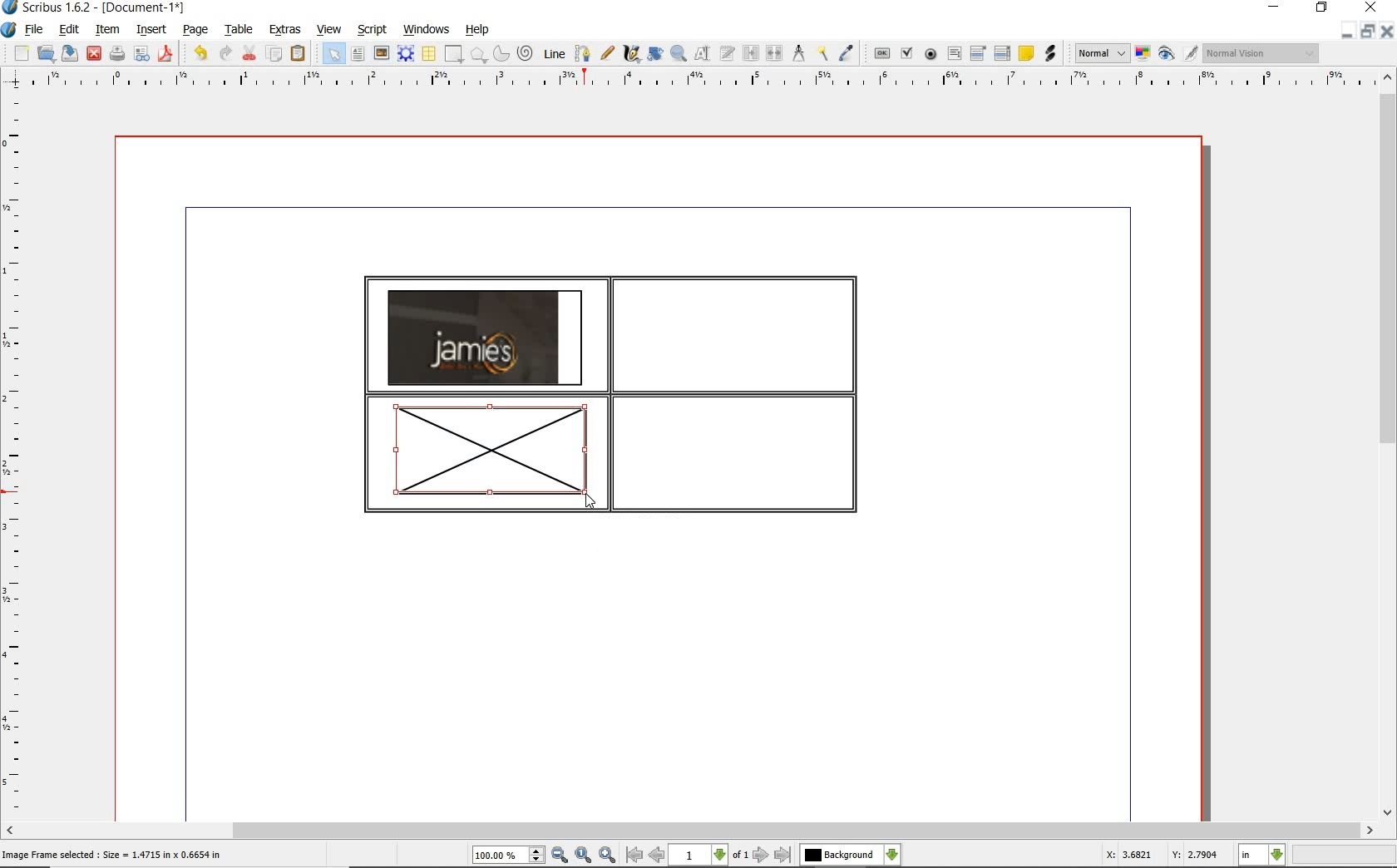  I want to click on paste, so click(298, 53).